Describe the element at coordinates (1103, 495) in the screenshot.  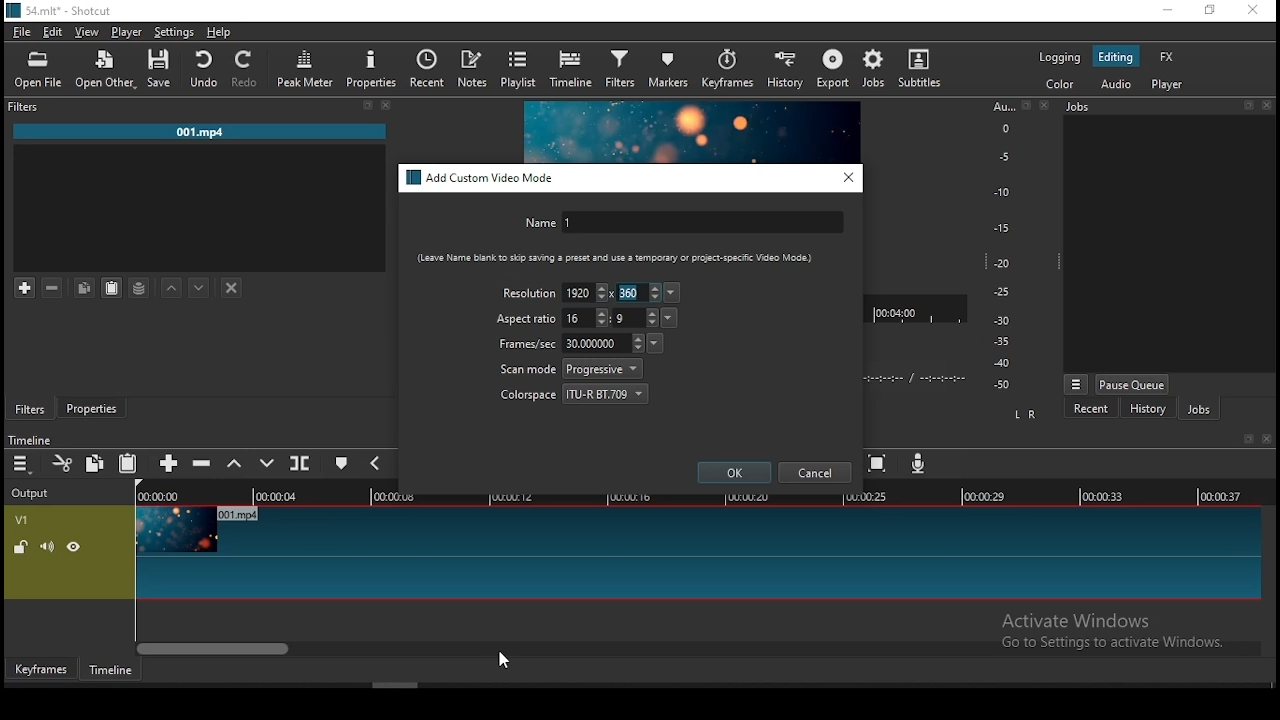
I see `00:00:33` at that location.